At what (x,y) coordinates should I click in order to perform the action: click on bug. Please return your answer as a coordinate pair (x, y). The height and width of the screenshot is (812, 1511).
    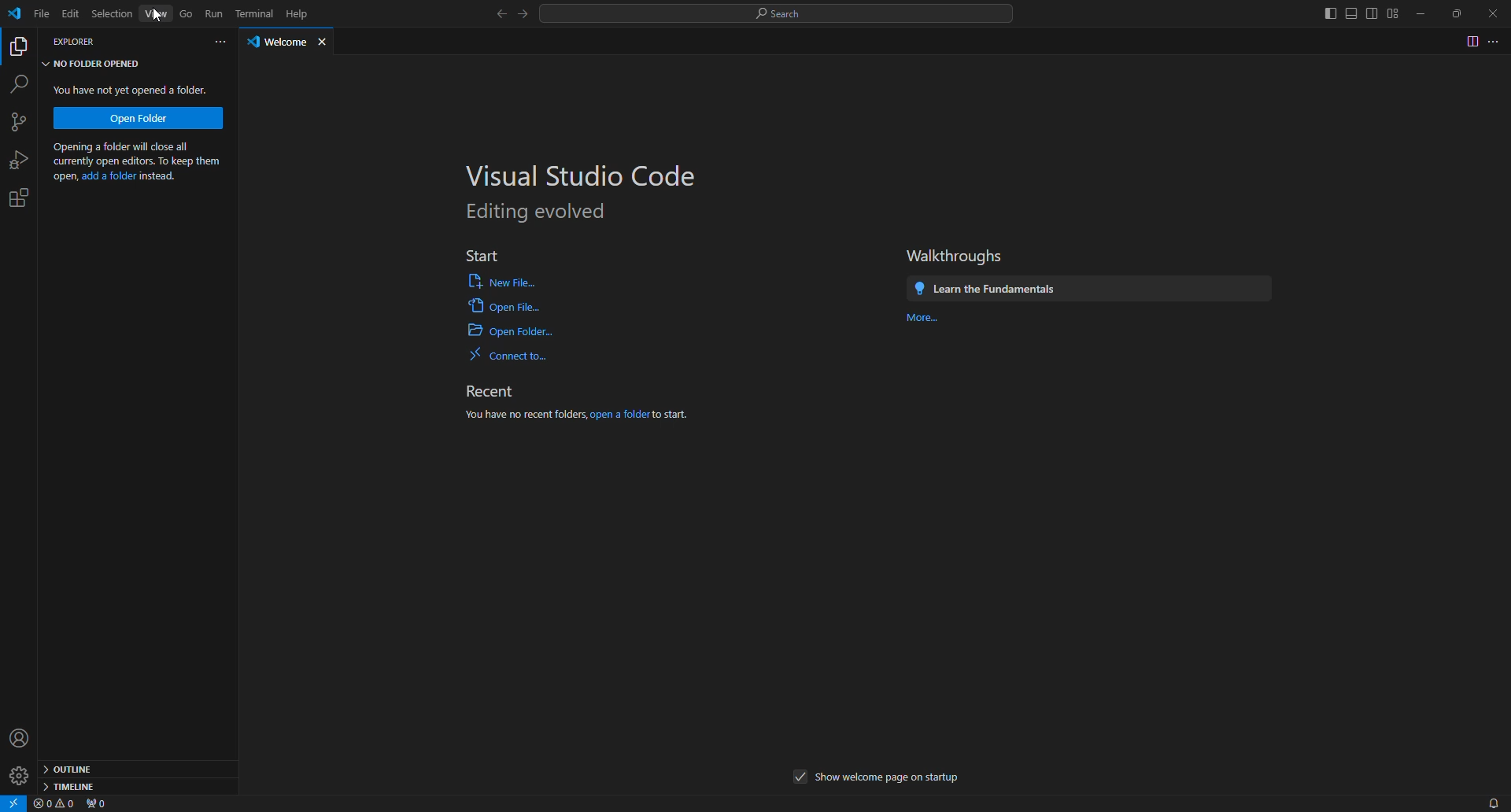
    Looking at the image, I should click on (16, 157).